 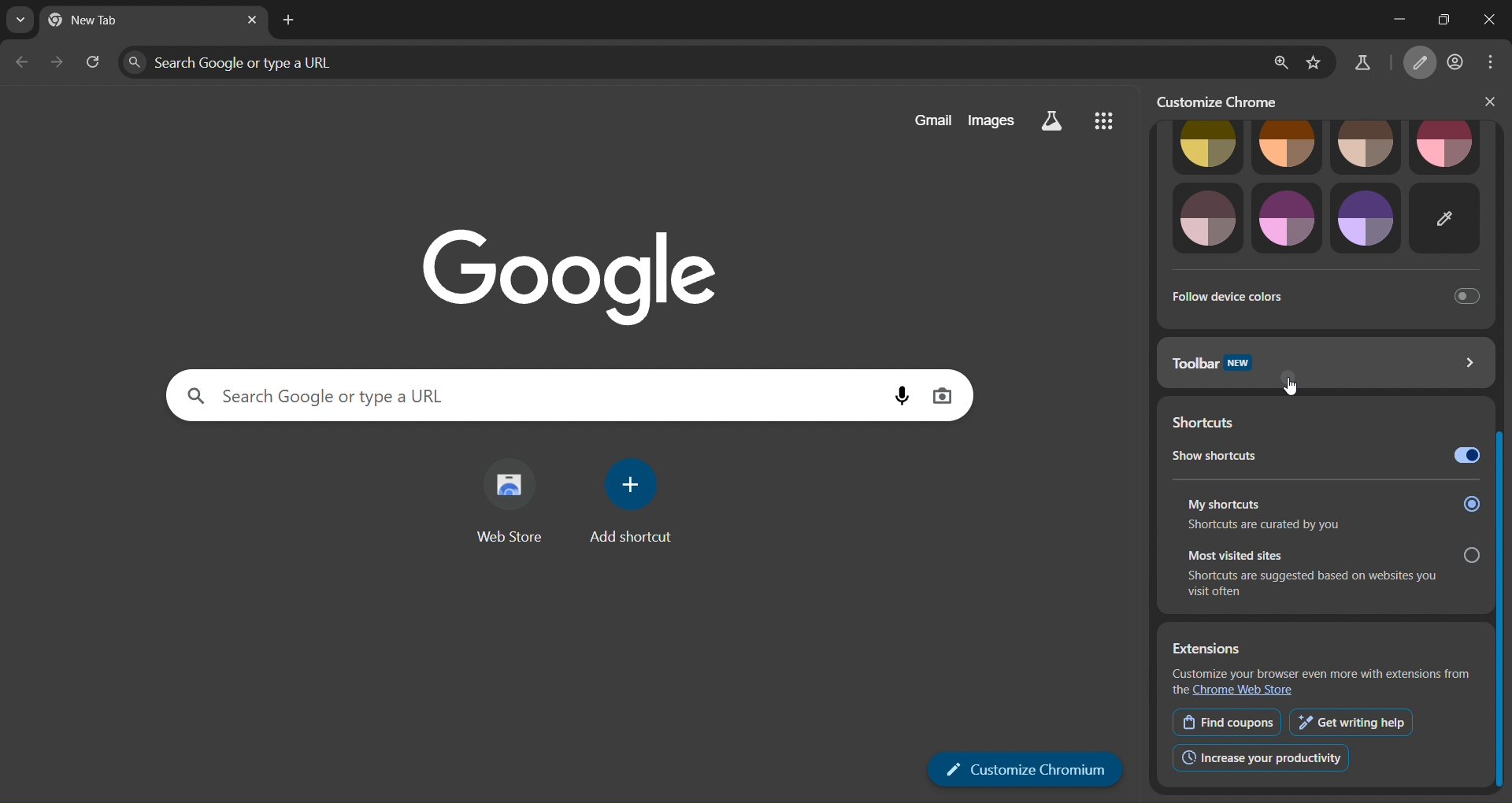 I want to click on Google logo, so click(x=570, y=275).